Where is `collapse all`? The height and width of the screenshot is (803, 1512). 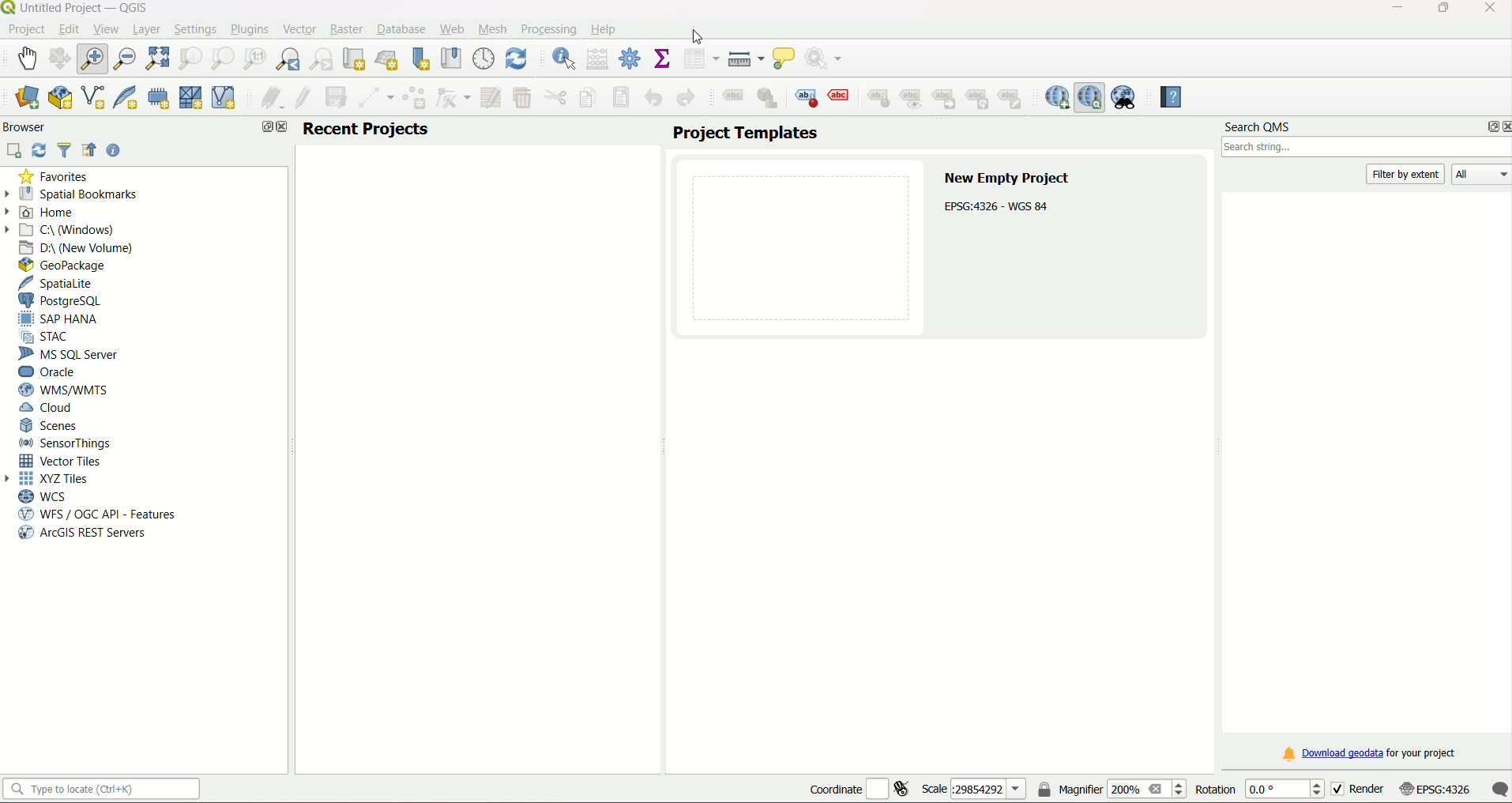 collapse all is located at coordinates (90, 152).